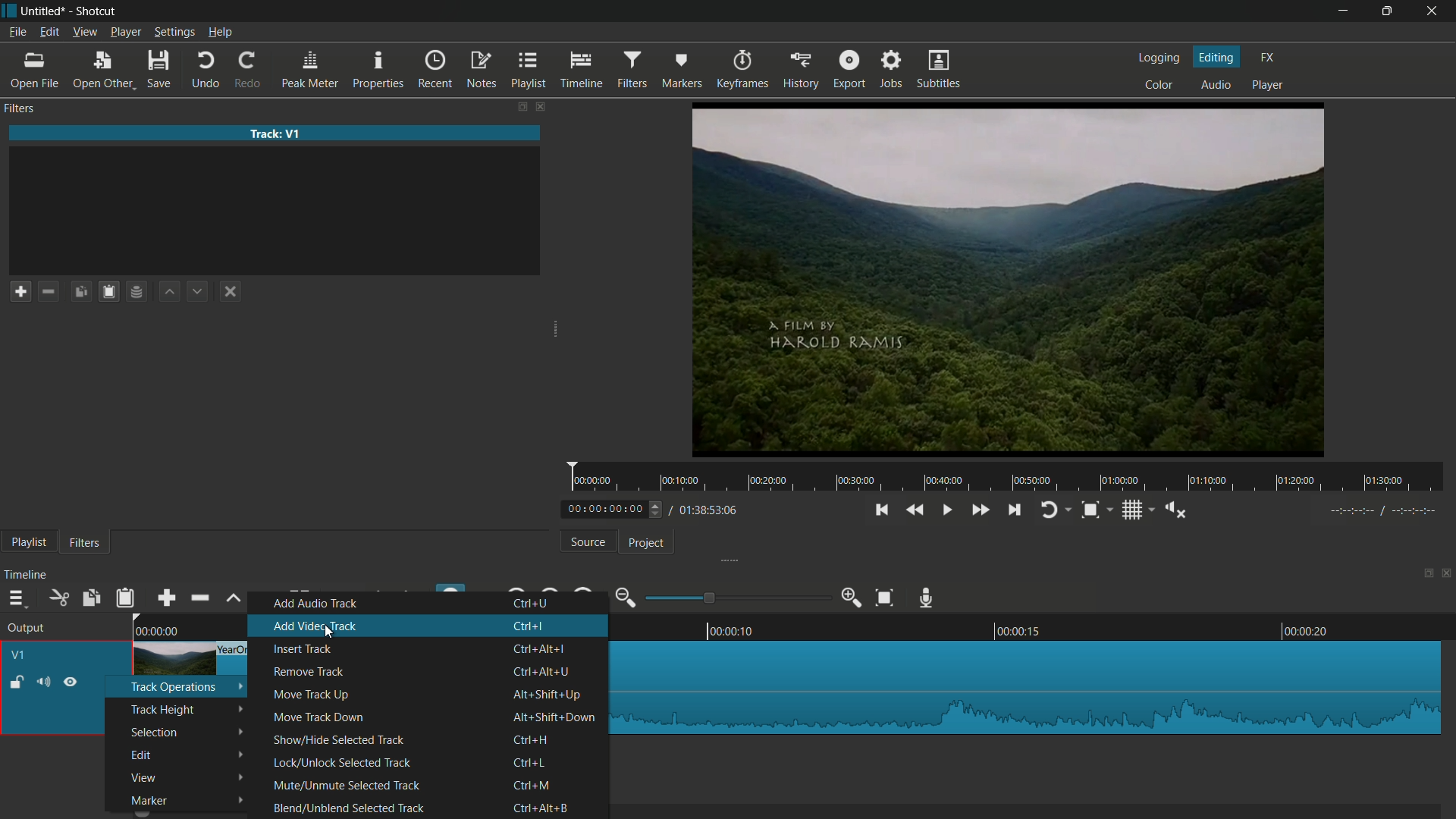 The width and height of the screenshot is (1456, 819). What do you see at coordinates (110, 292) in the screenshot?
I see `save filters` at bounding box center [110, 292].